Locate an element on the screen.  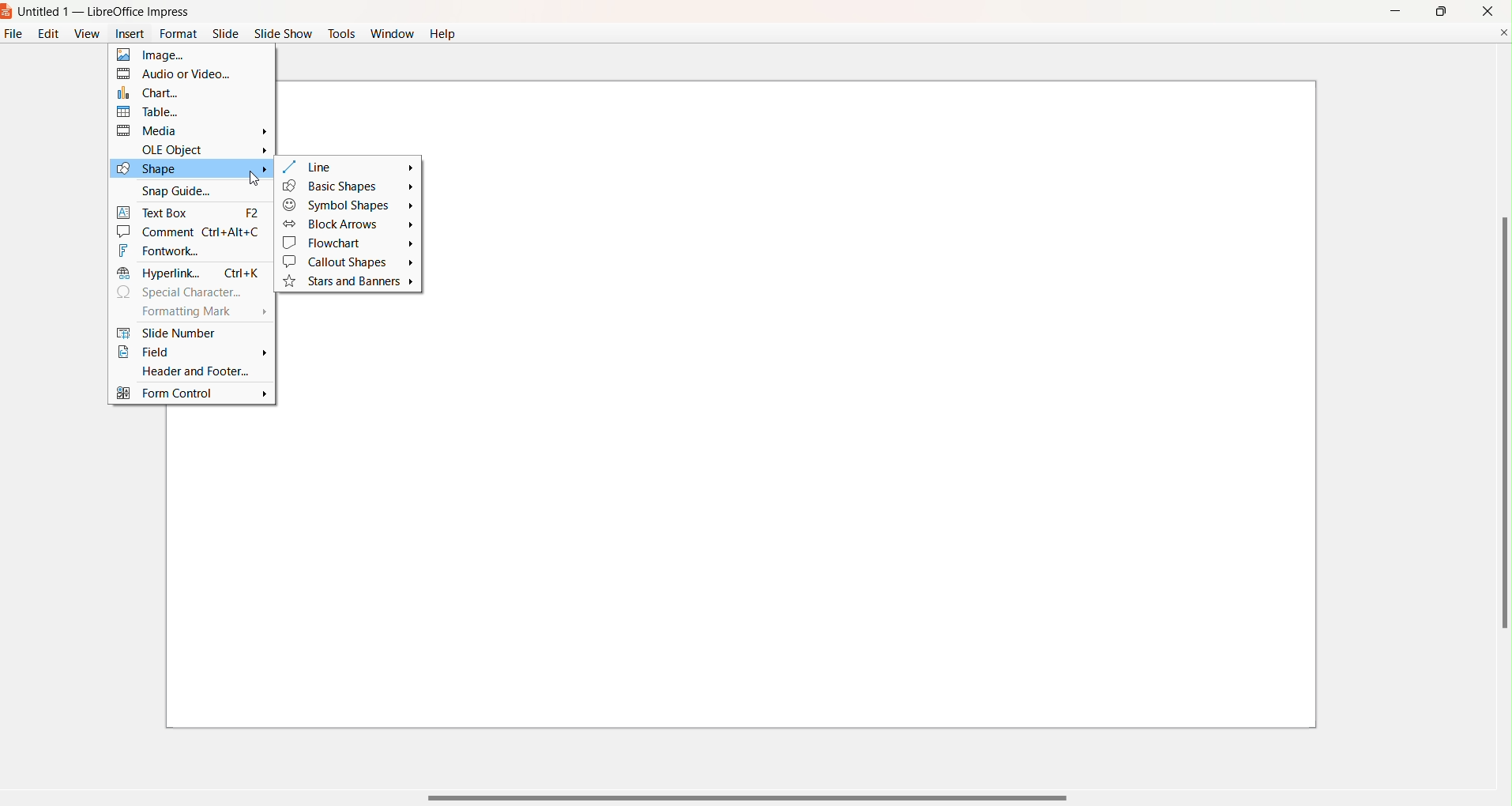
Table is located at coordinates (182, 111).